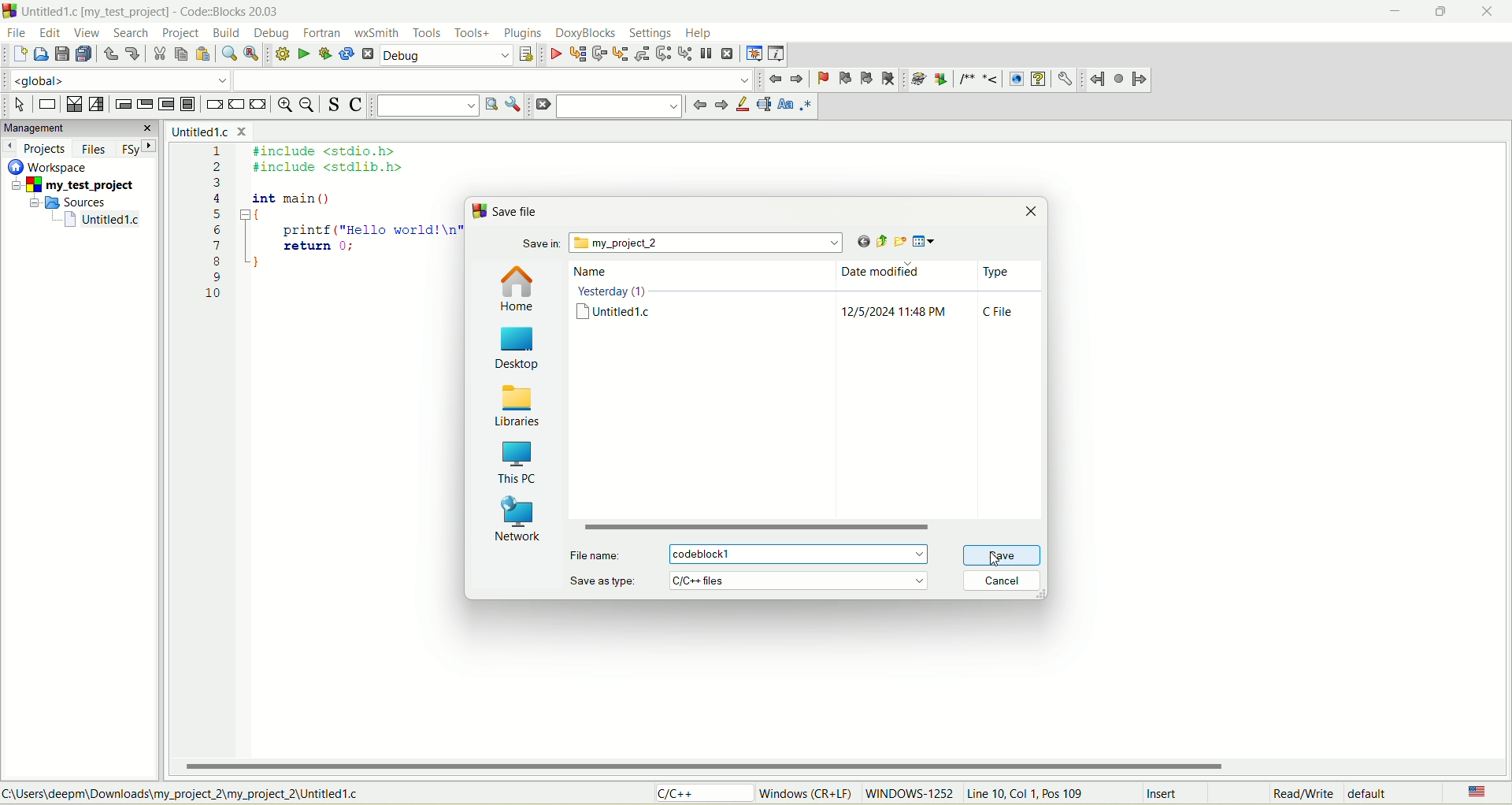 Image resolution: width=1512 pixels, height=805 pixels. What do you see at coordinates (250, 53) in the screenshot?
I see `replace` at bounding box center [250, 53].